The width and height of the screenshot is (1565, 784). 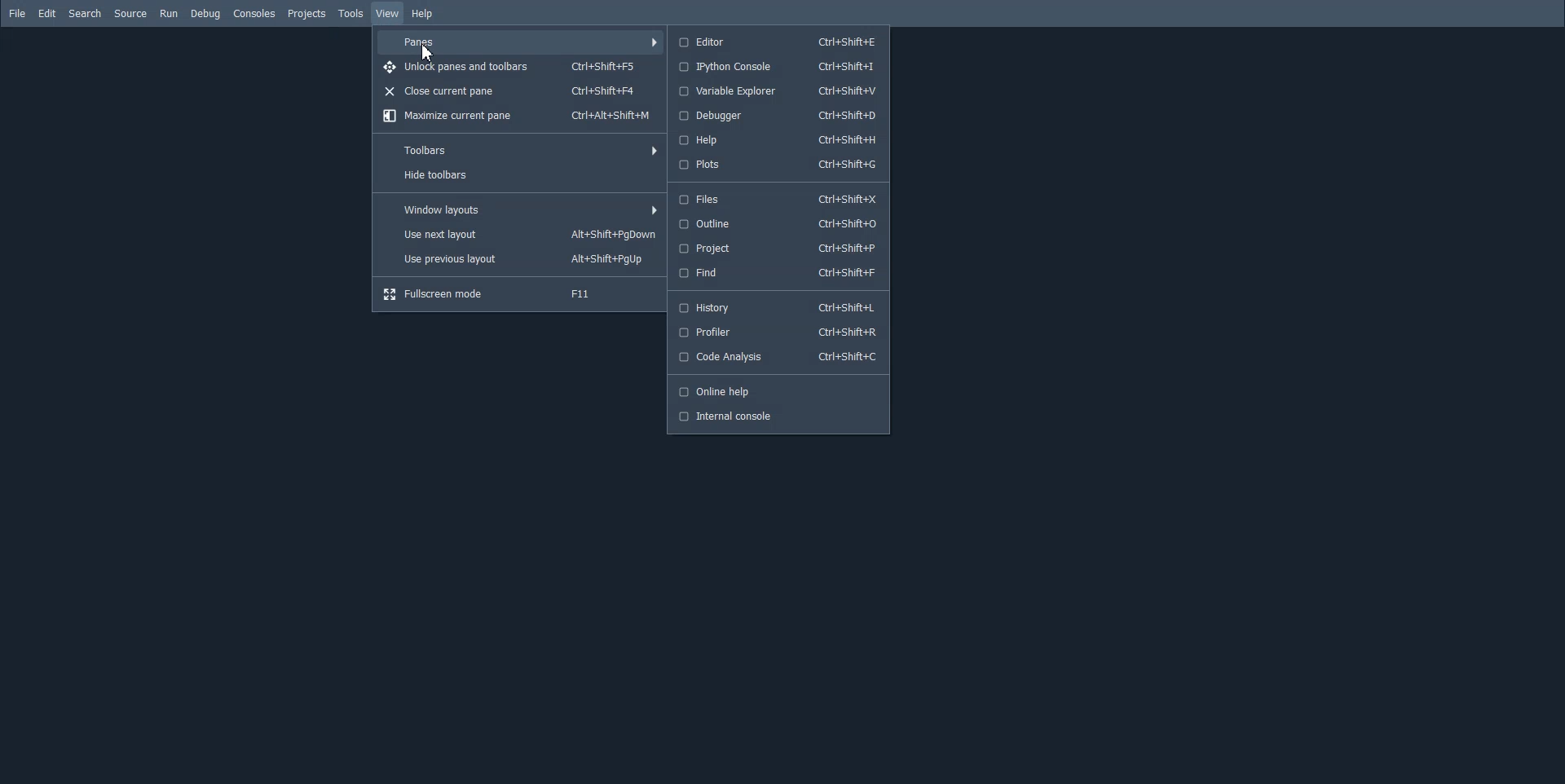 What do you see at coordinates (48, 13) in the screenshot?
I see `Edit` at bounding box center [48, 13].